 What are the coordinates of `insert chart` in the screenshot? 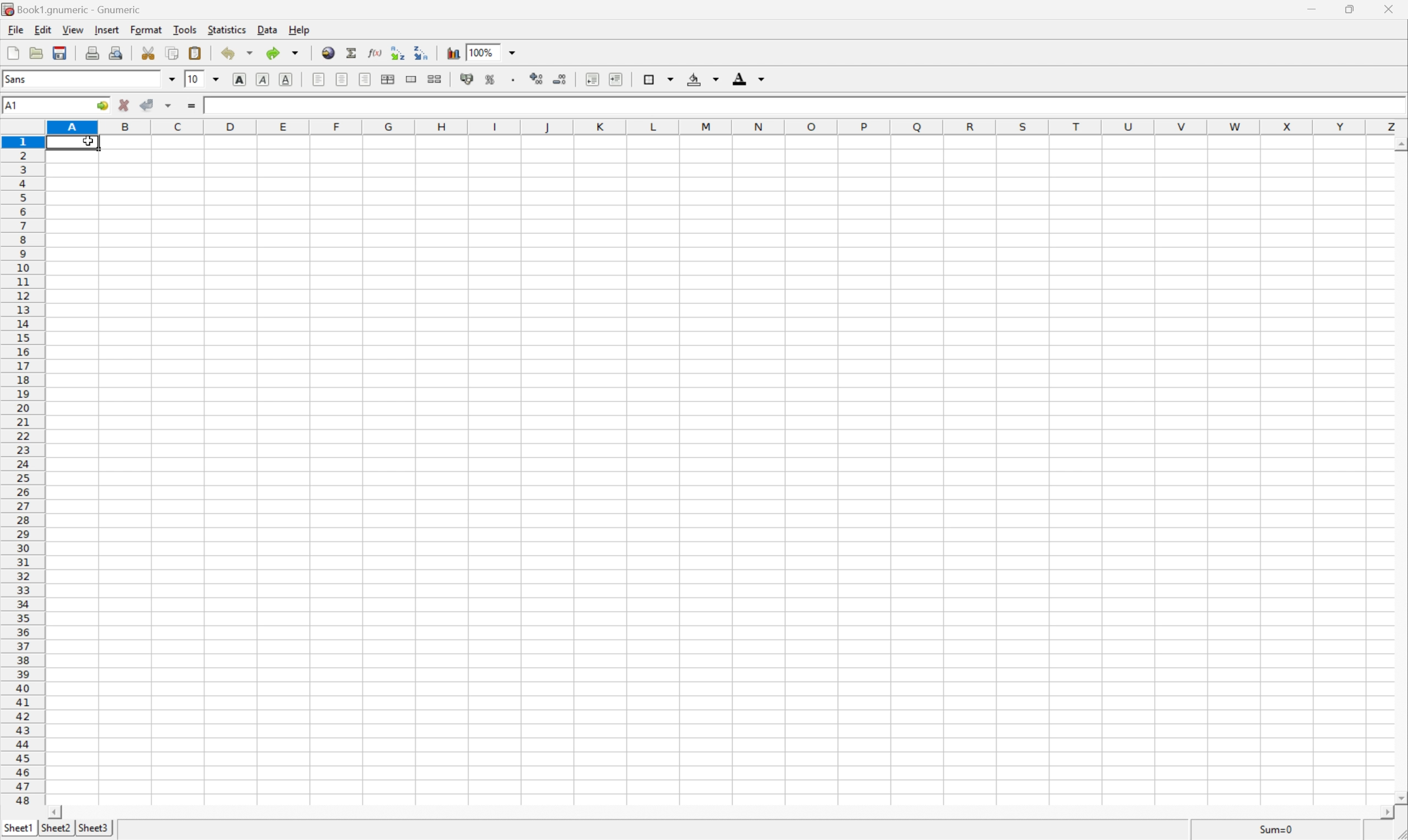 It's located at (452, 52).